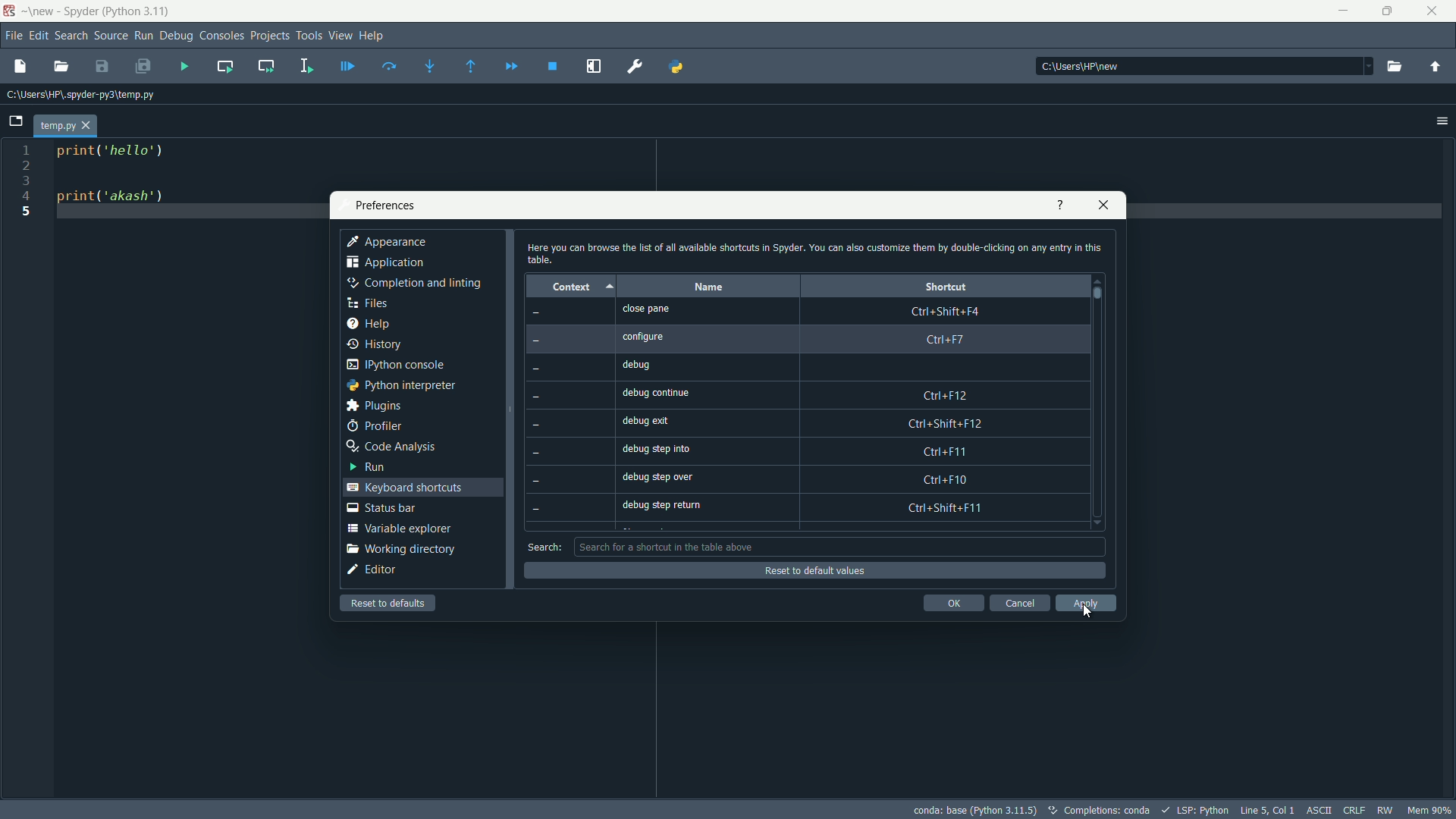 The width and height of the screenshot is (1456, 819). What do you see at coordinates (953, 603) in the screenshot?
I see `ok` at bounding box center [953, 603].